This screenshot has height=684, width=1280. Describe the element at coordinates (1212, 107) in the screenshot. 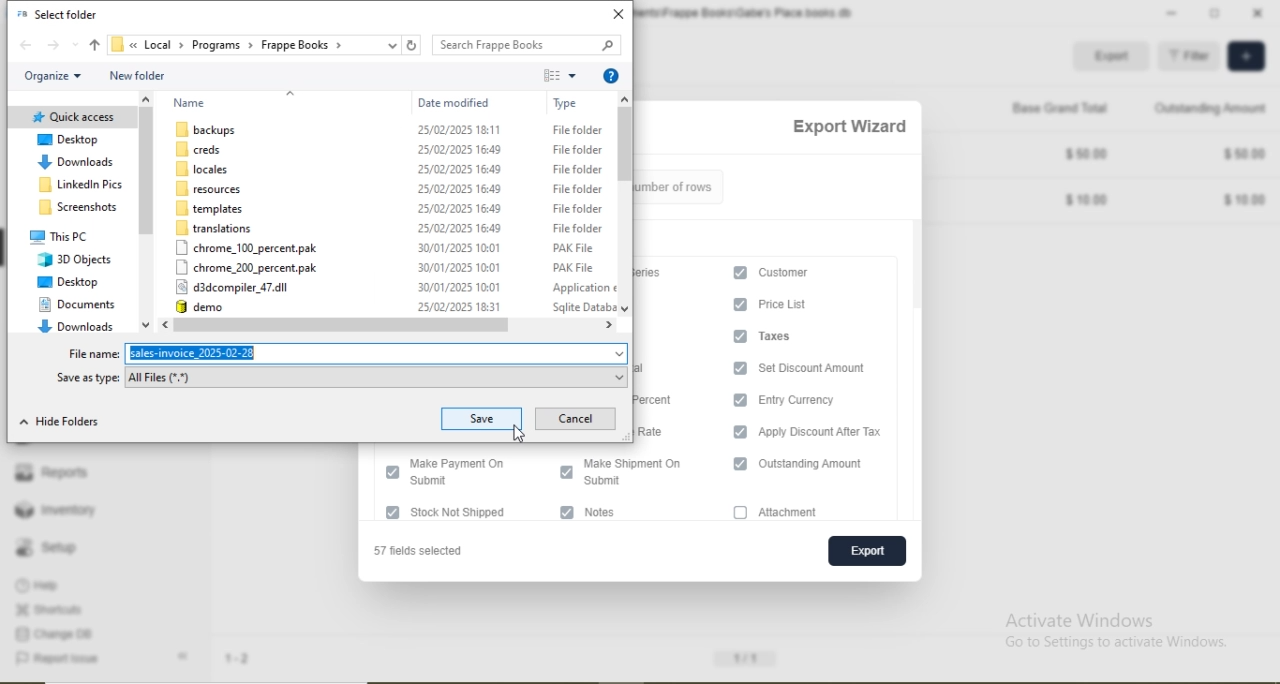

I see `‘Outstanding Amount` at that location.